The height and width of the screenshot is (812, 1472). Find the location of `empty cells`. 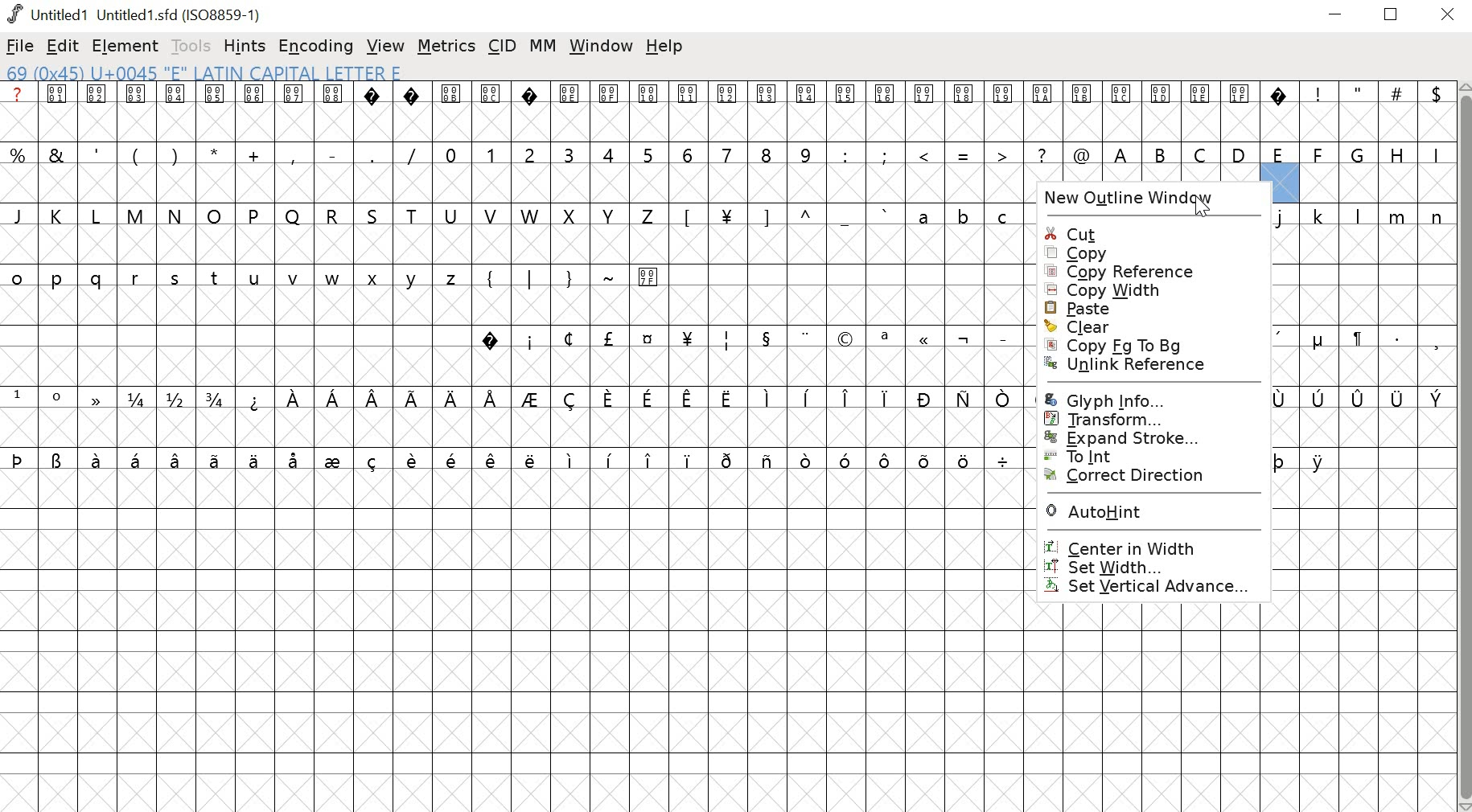

empty cells is located at coordinates (1182, 704).